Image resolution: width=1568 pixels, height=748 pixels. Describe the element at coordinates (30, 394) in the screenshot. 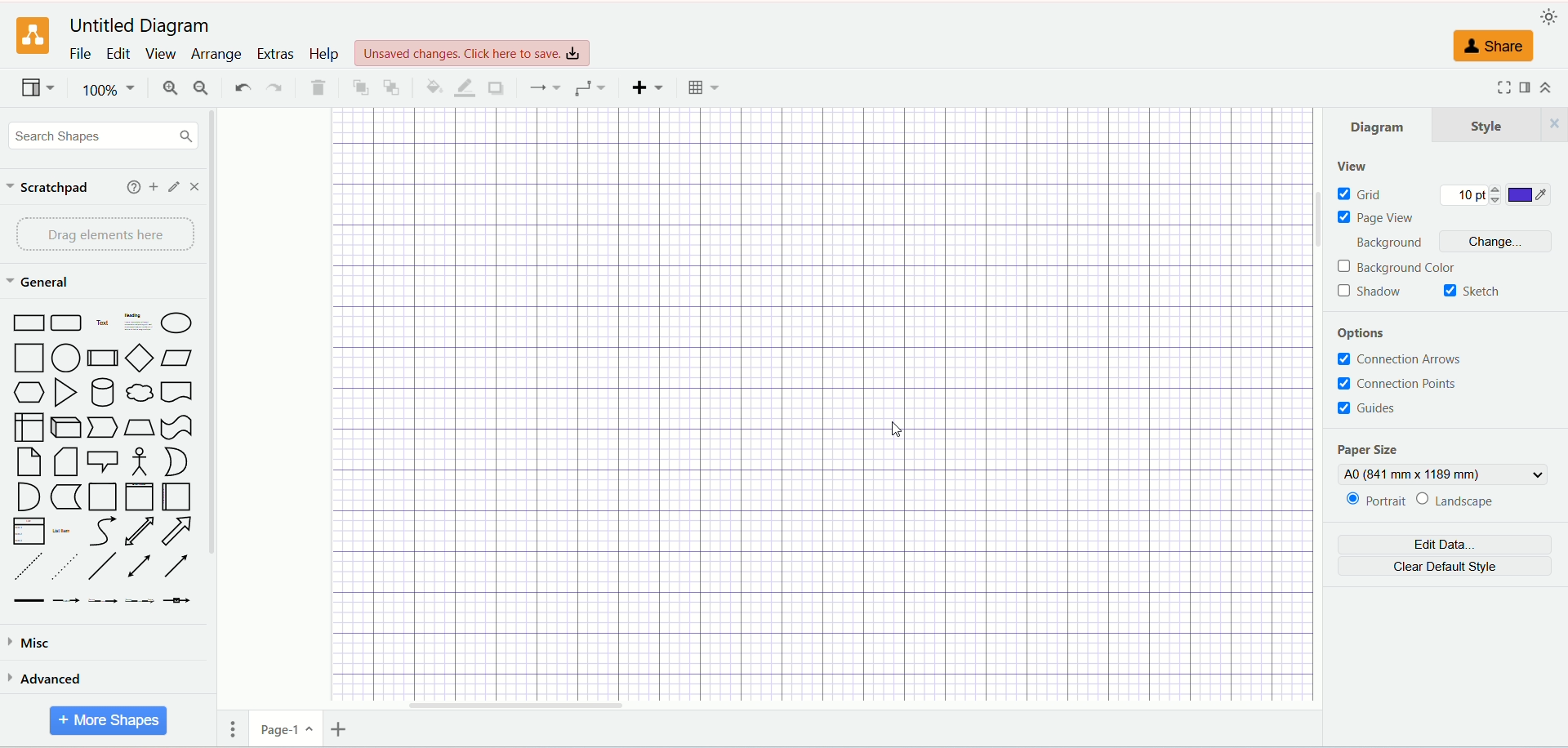

I see `Hexagon` at that location.